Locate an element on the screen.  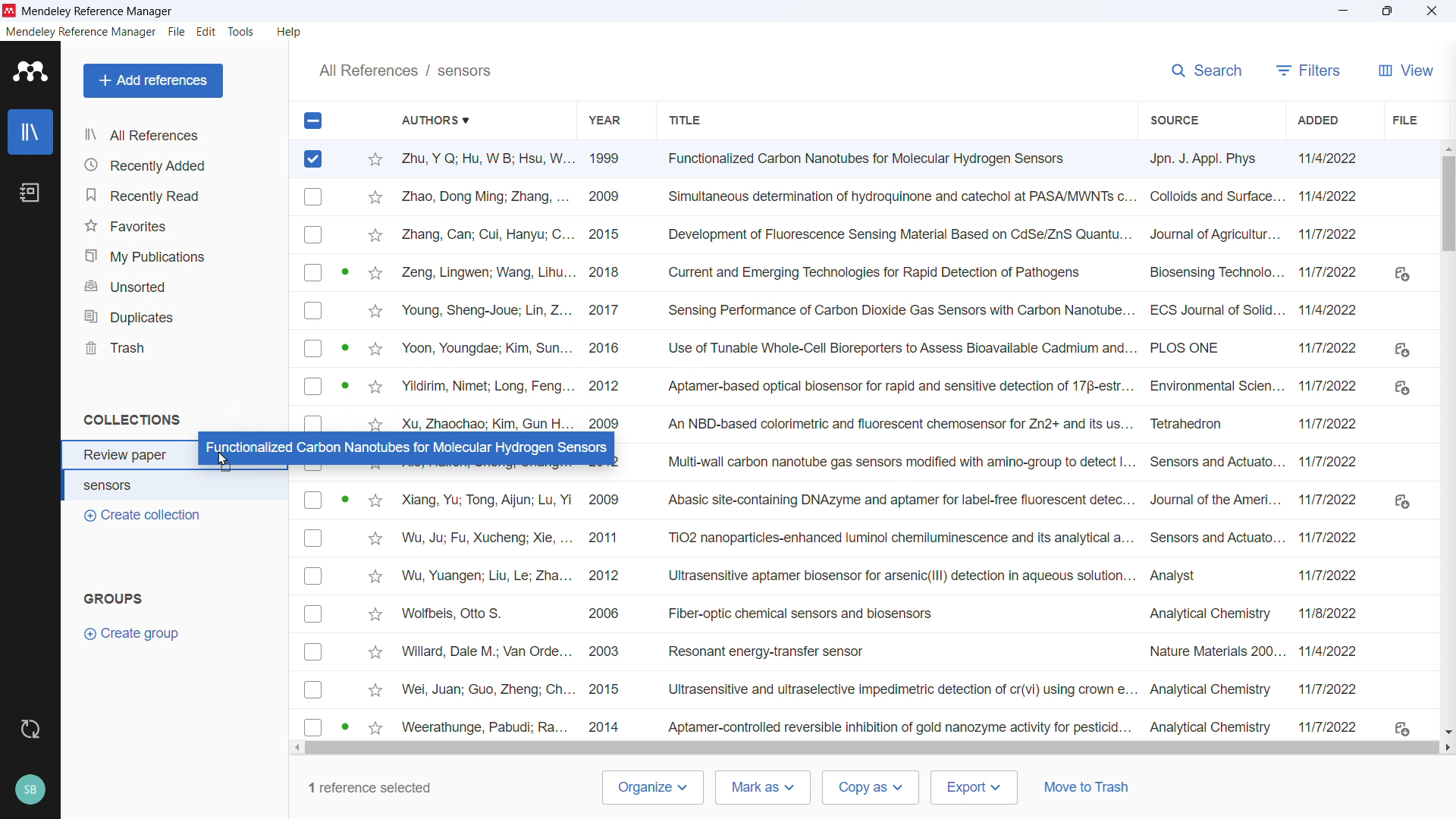
Collection 2  is located at coordinates (177, 487).